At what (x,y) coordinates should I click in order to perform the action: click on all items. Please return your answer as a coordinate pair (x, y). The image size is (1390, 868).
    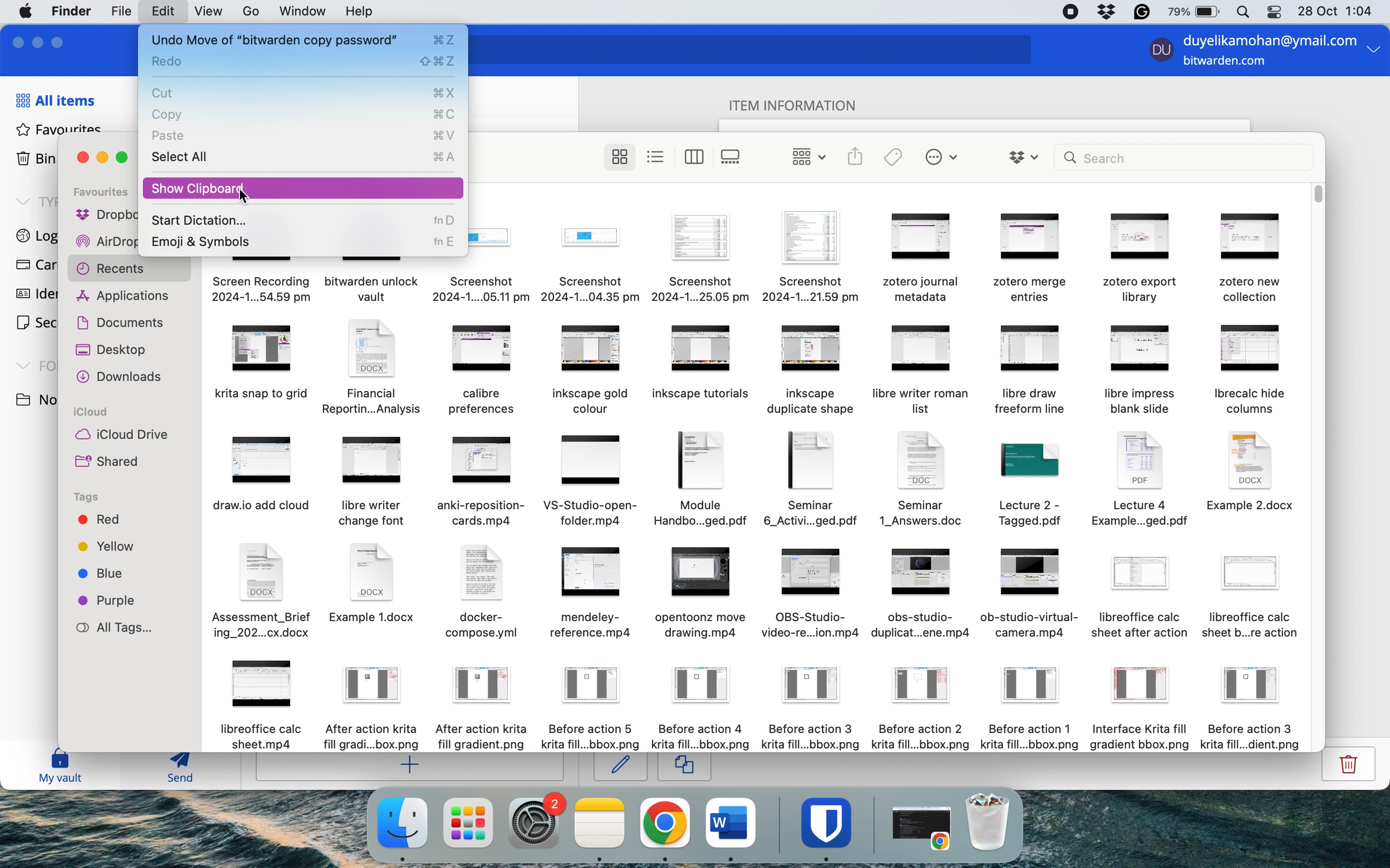
    Looking at the image, I should click on (55, 100).